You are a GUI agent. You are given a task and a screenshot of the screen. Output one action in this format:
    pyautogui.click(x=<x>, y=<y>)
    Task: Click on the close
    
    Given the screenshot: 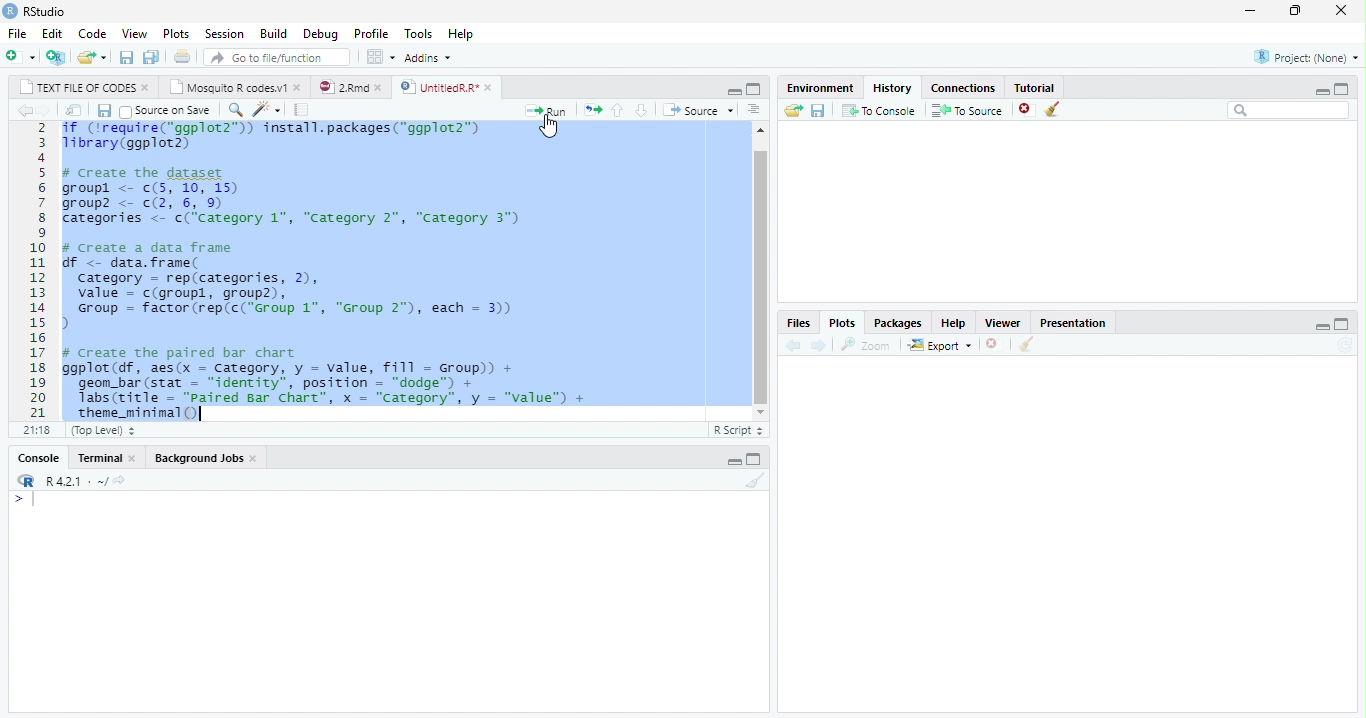 What is the action you would take?
    pyautogui.click(x=380, y=88)
    